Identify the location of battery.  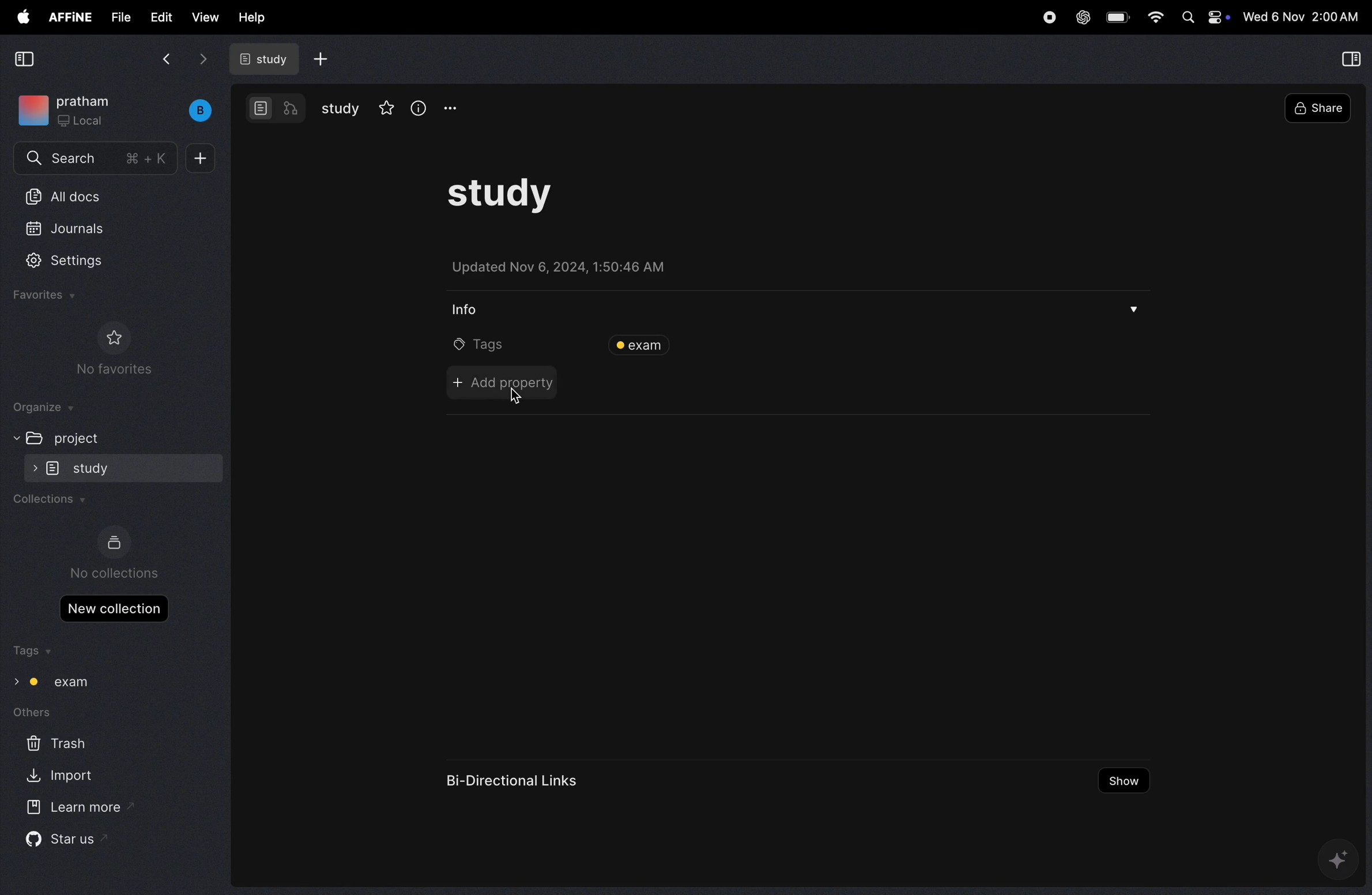
(1118, 18).